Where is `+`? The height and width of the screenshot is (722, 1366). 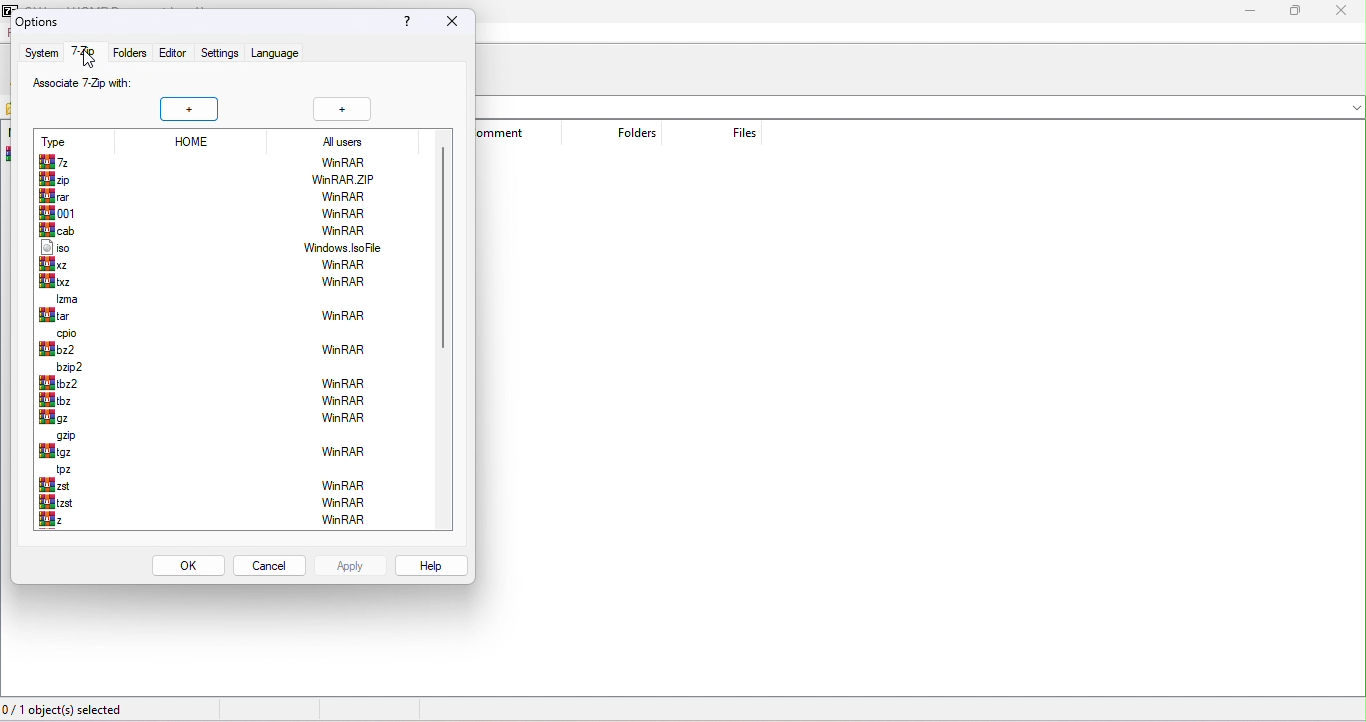 + is located at coordinates (189, 110).